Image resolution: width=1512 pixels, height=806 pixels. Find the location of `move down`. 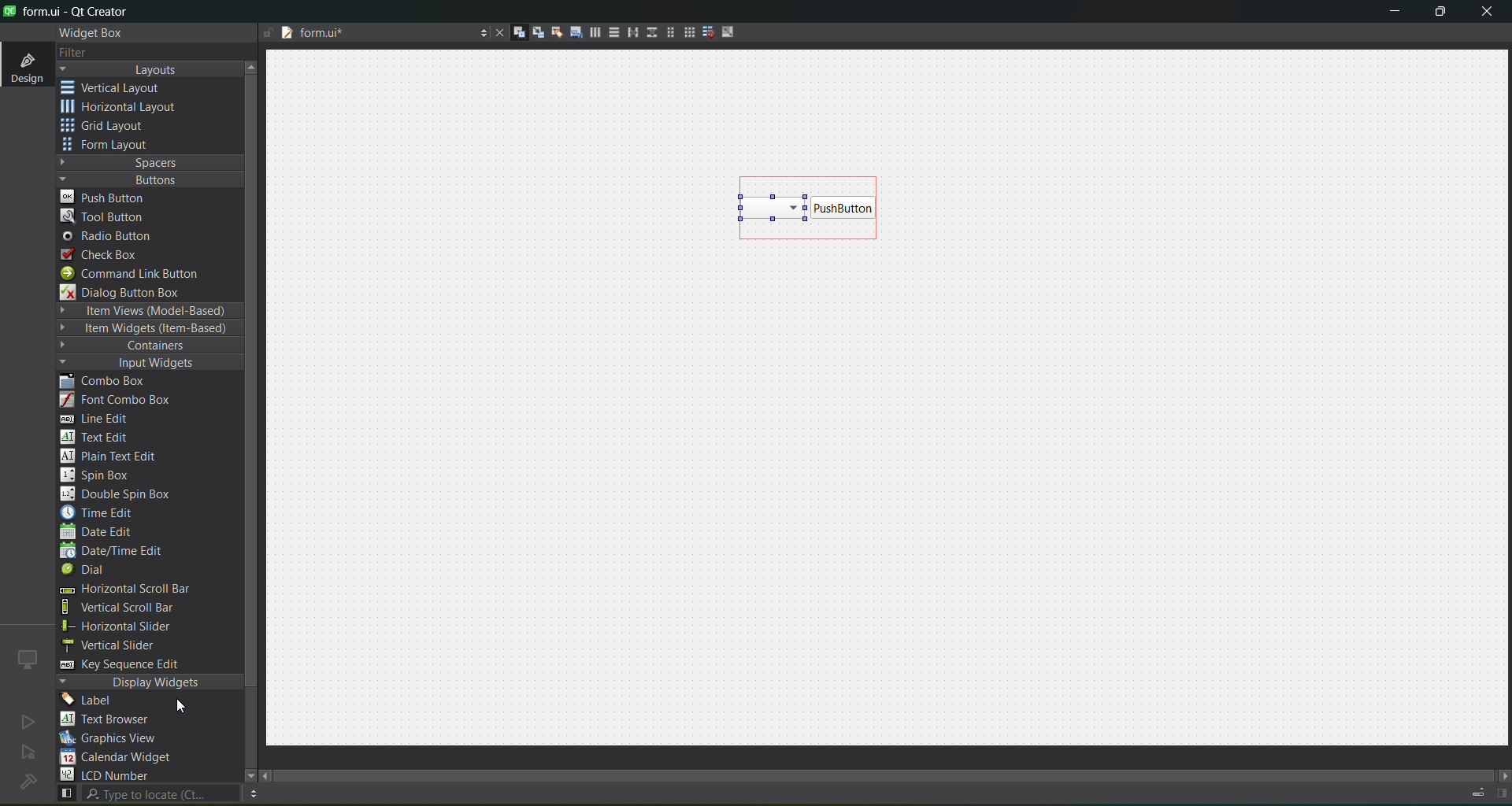

move down is located at coordinates (243, 774).